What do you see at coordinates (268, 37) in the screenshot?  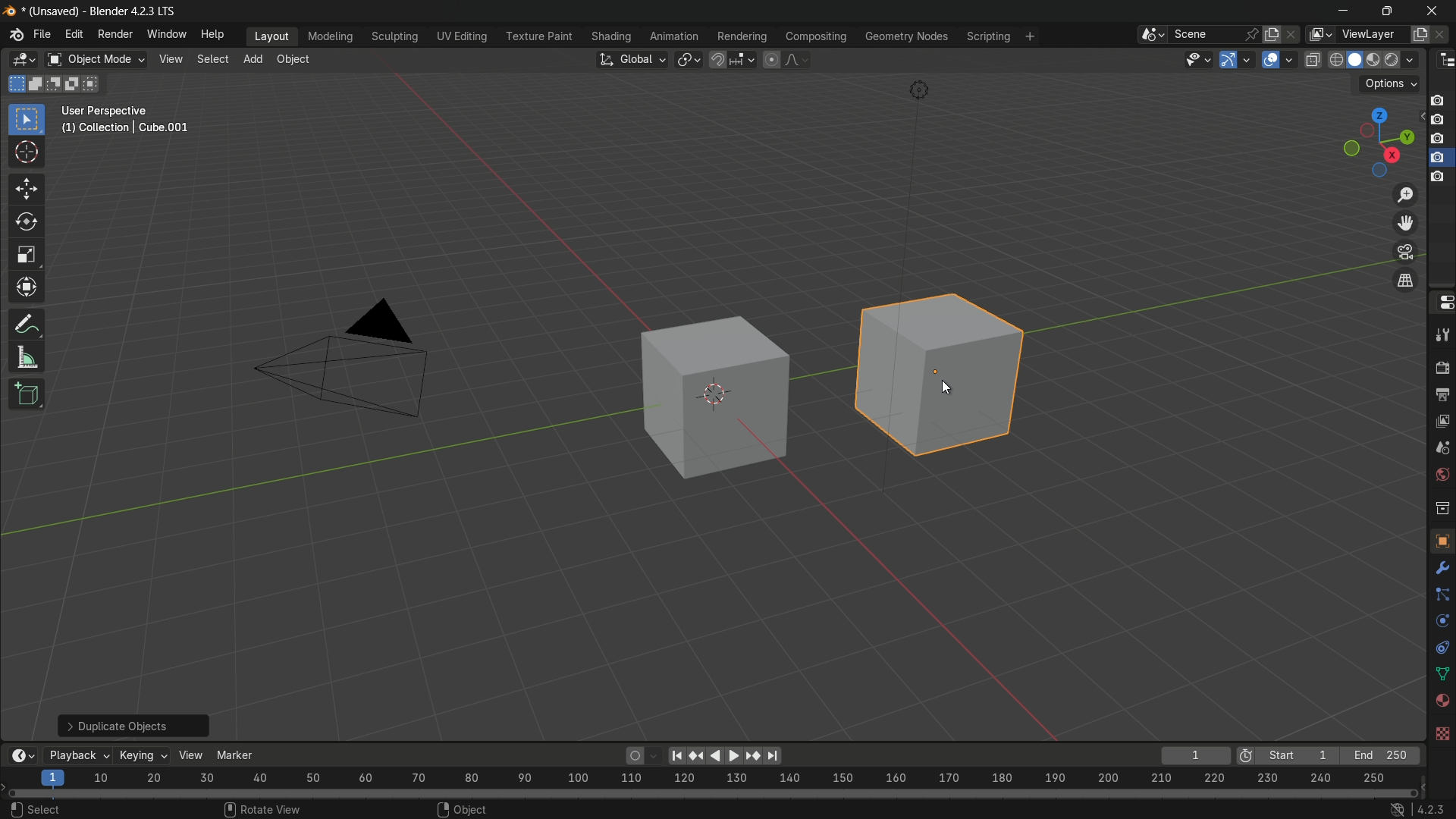 I see `layout menu` at bounding box center [268, 37].